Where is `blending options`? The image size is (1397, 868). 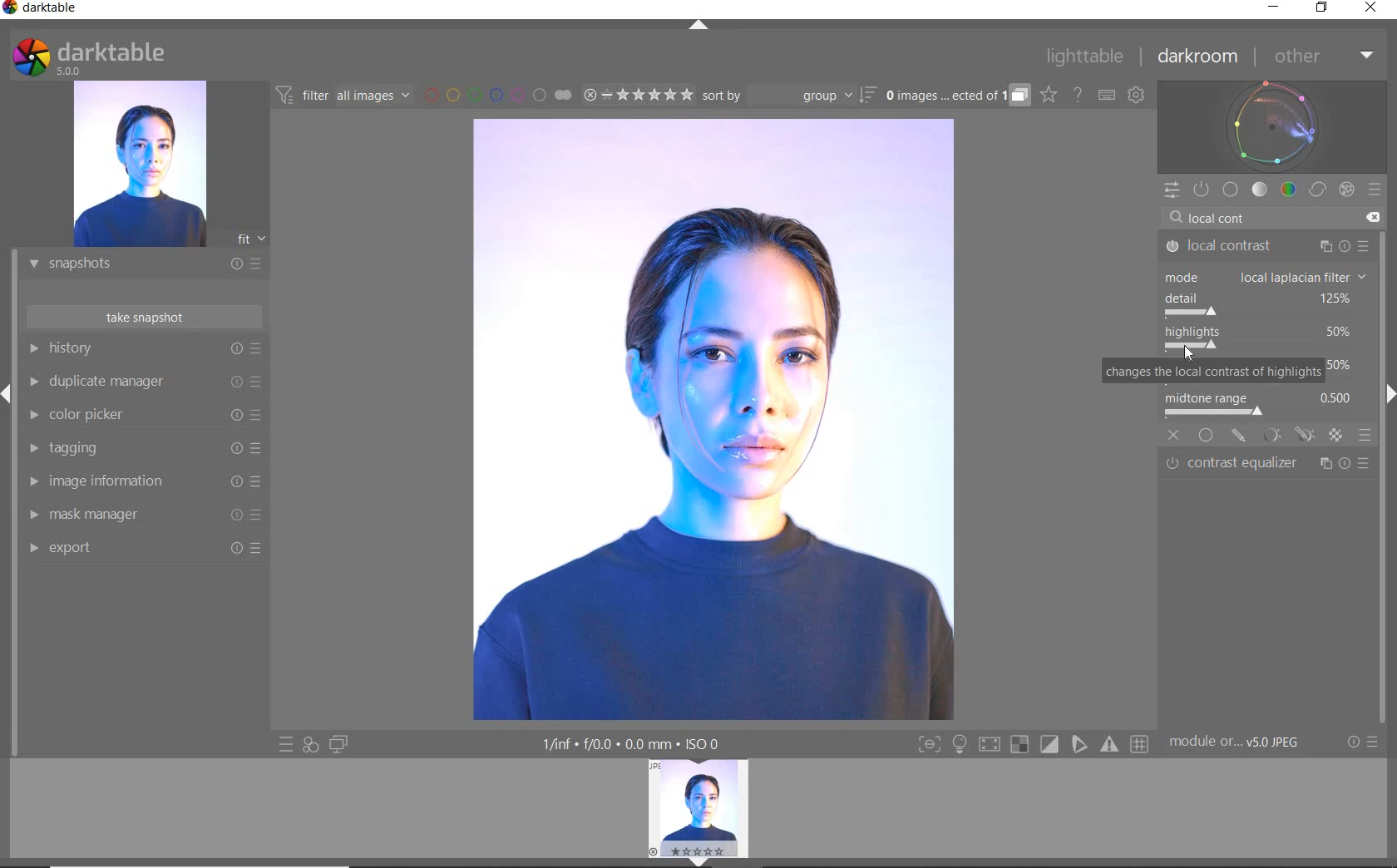
blending options is located at coordinates (1365, 434).